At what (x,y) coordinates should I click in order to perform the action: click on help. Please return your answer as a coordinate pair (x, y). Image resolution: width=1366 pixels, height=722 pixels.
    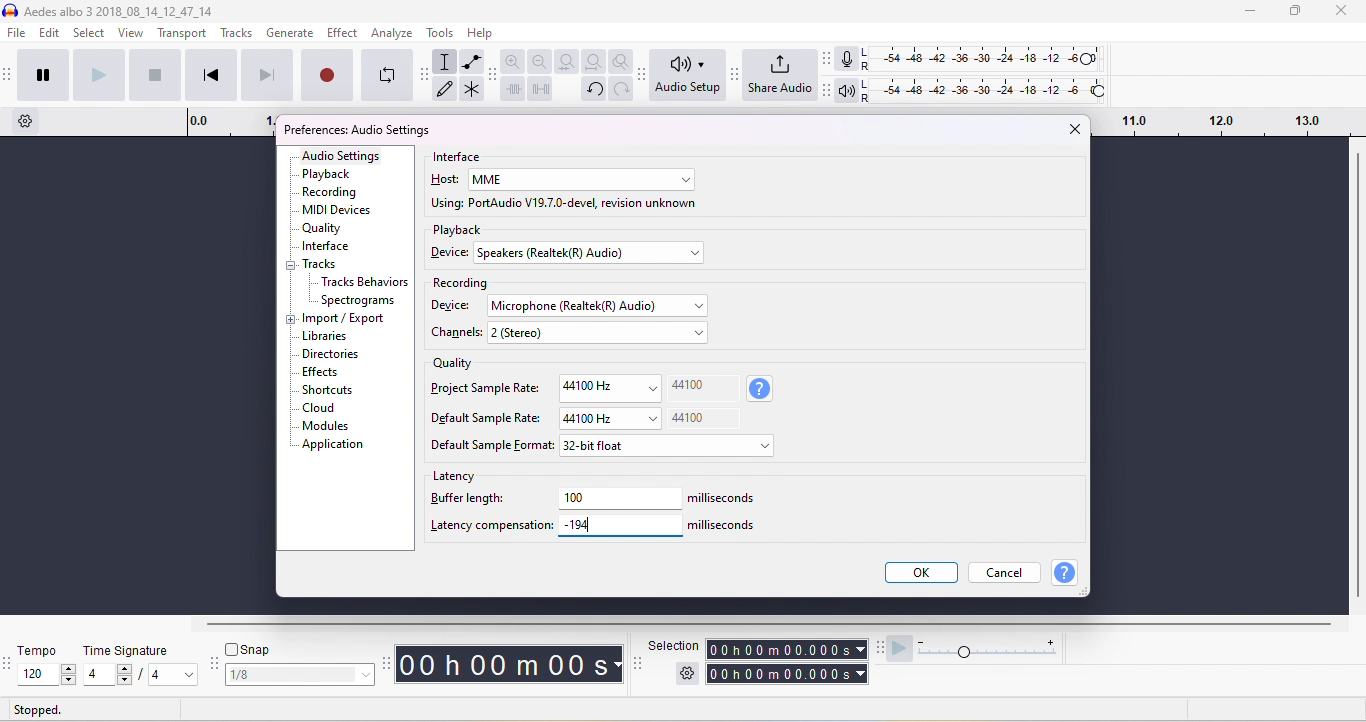
    Looking at the image, I should click on (1066, 573).